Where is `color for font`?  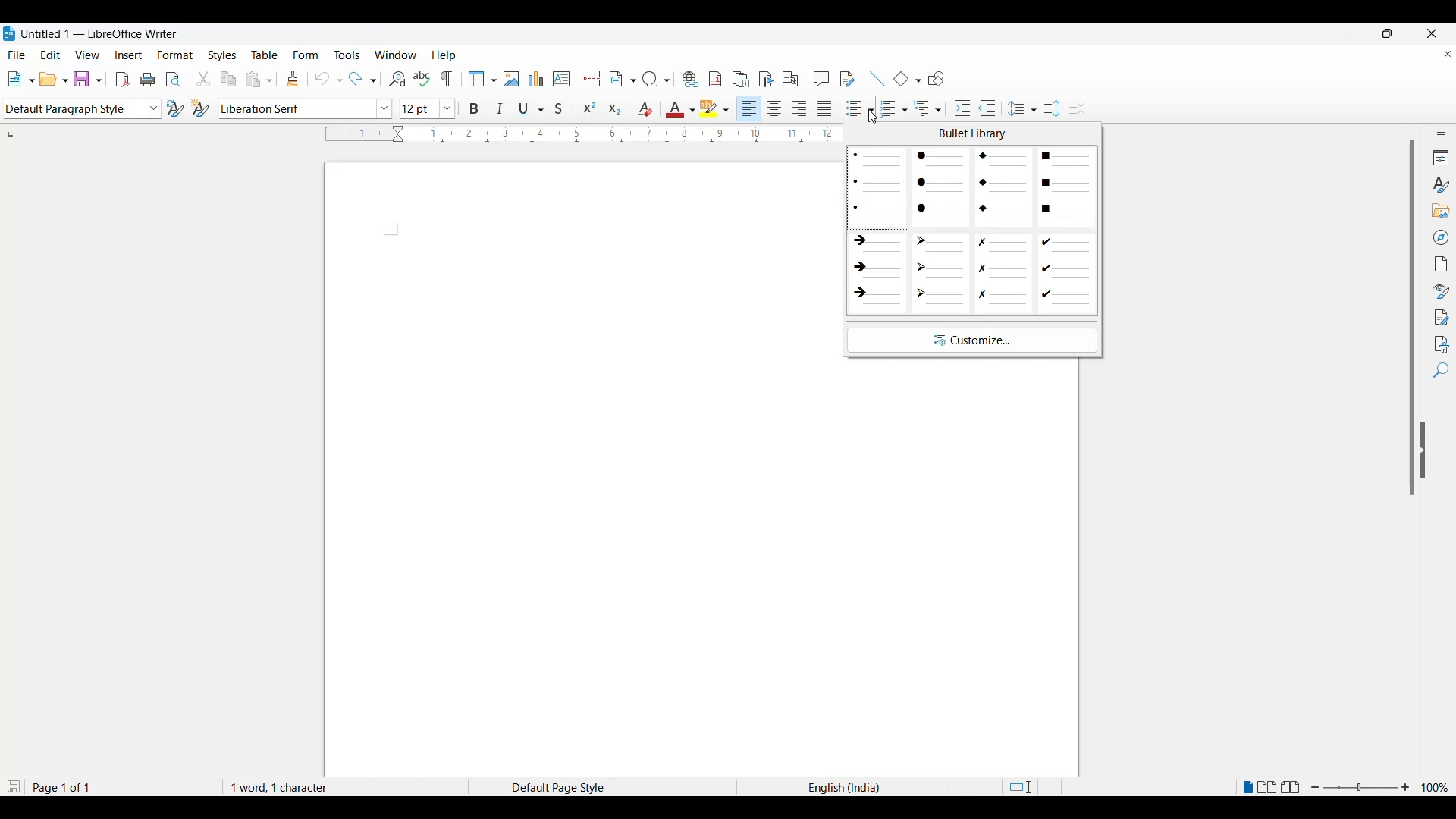
color for font is located at coordinates (679, 108).